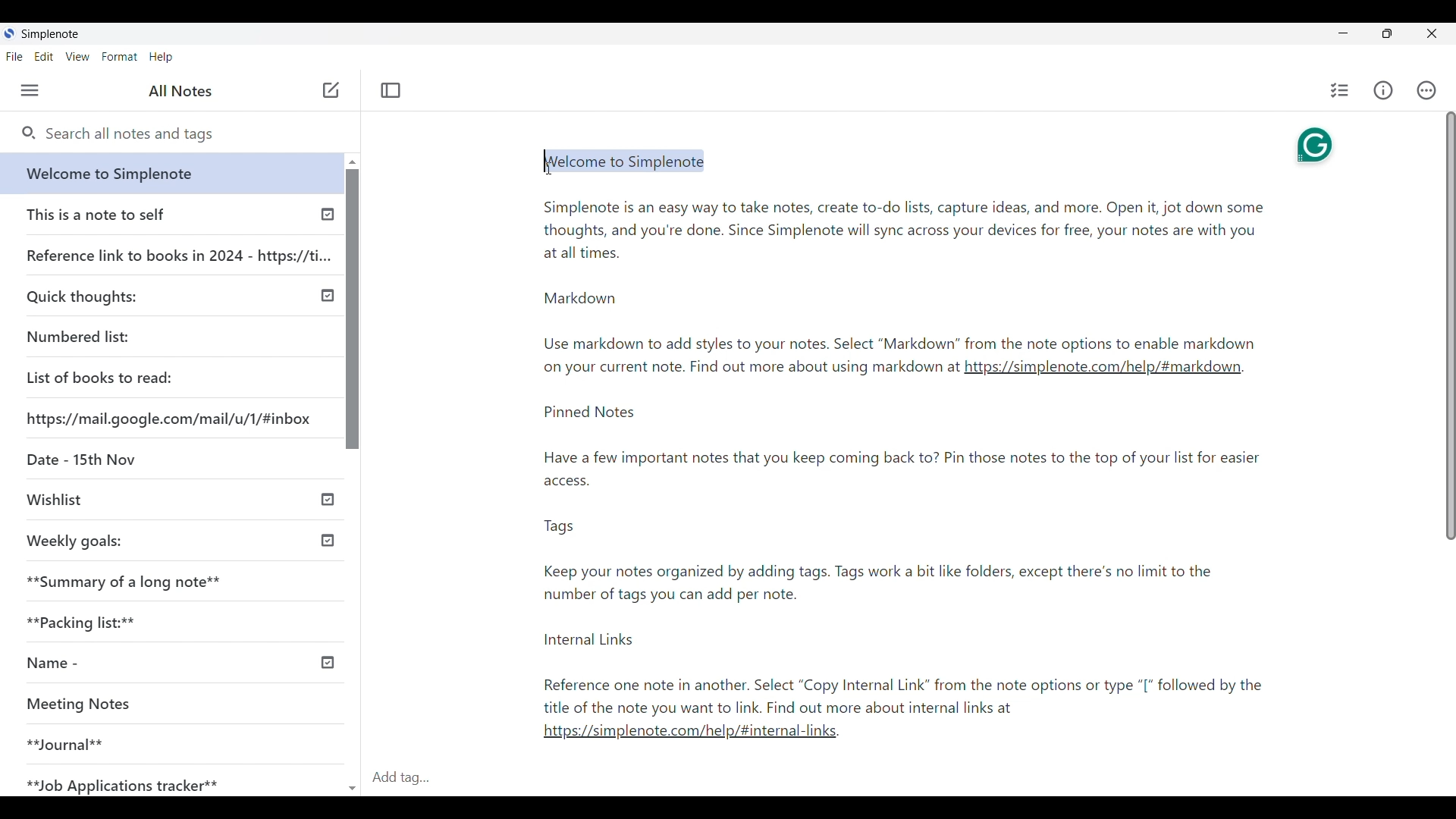  I want to click on Browser link, so click(168, 419).